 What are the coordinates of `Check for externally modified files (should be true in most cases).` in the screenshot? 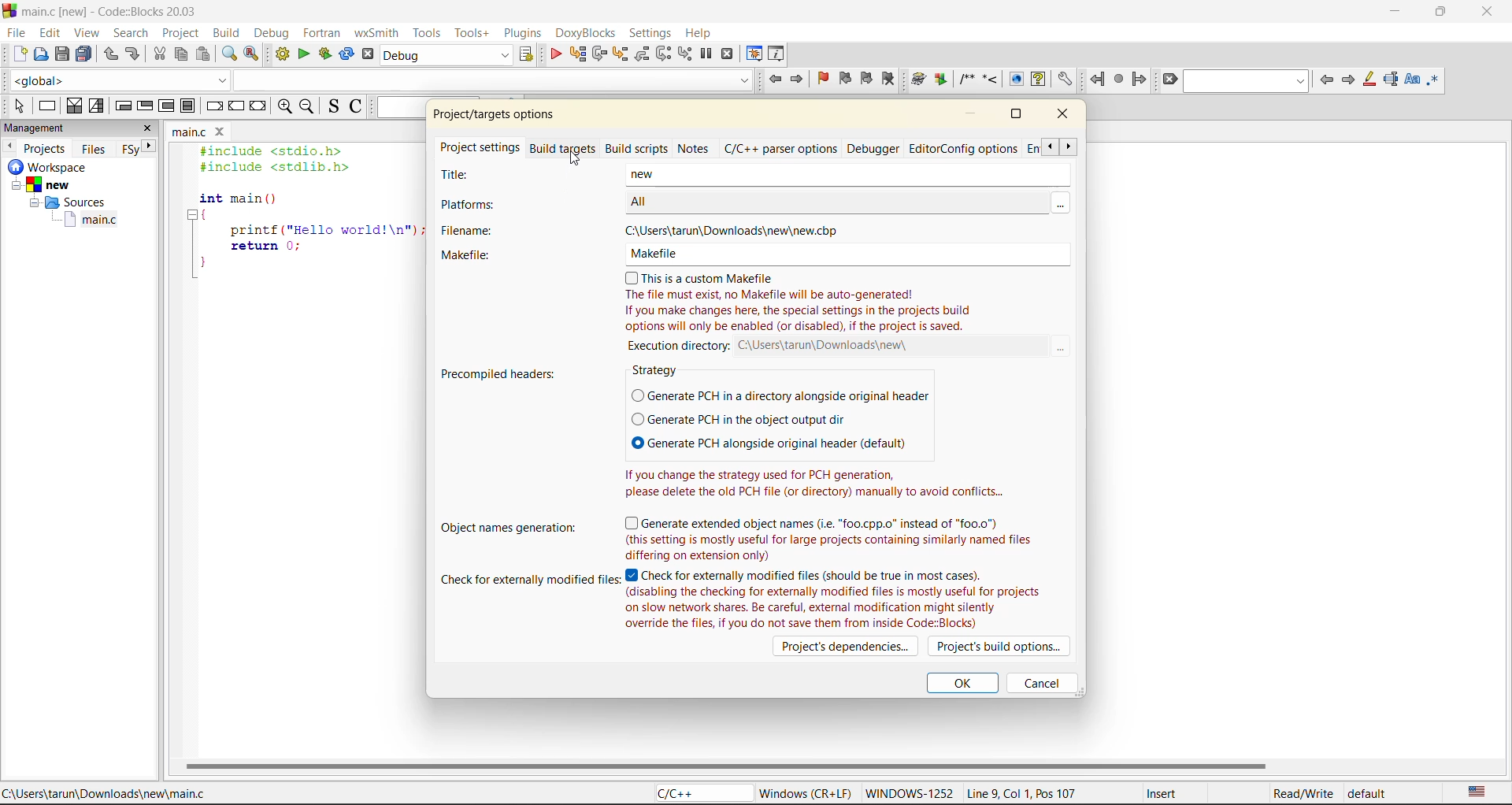 It's located at (823, 572).